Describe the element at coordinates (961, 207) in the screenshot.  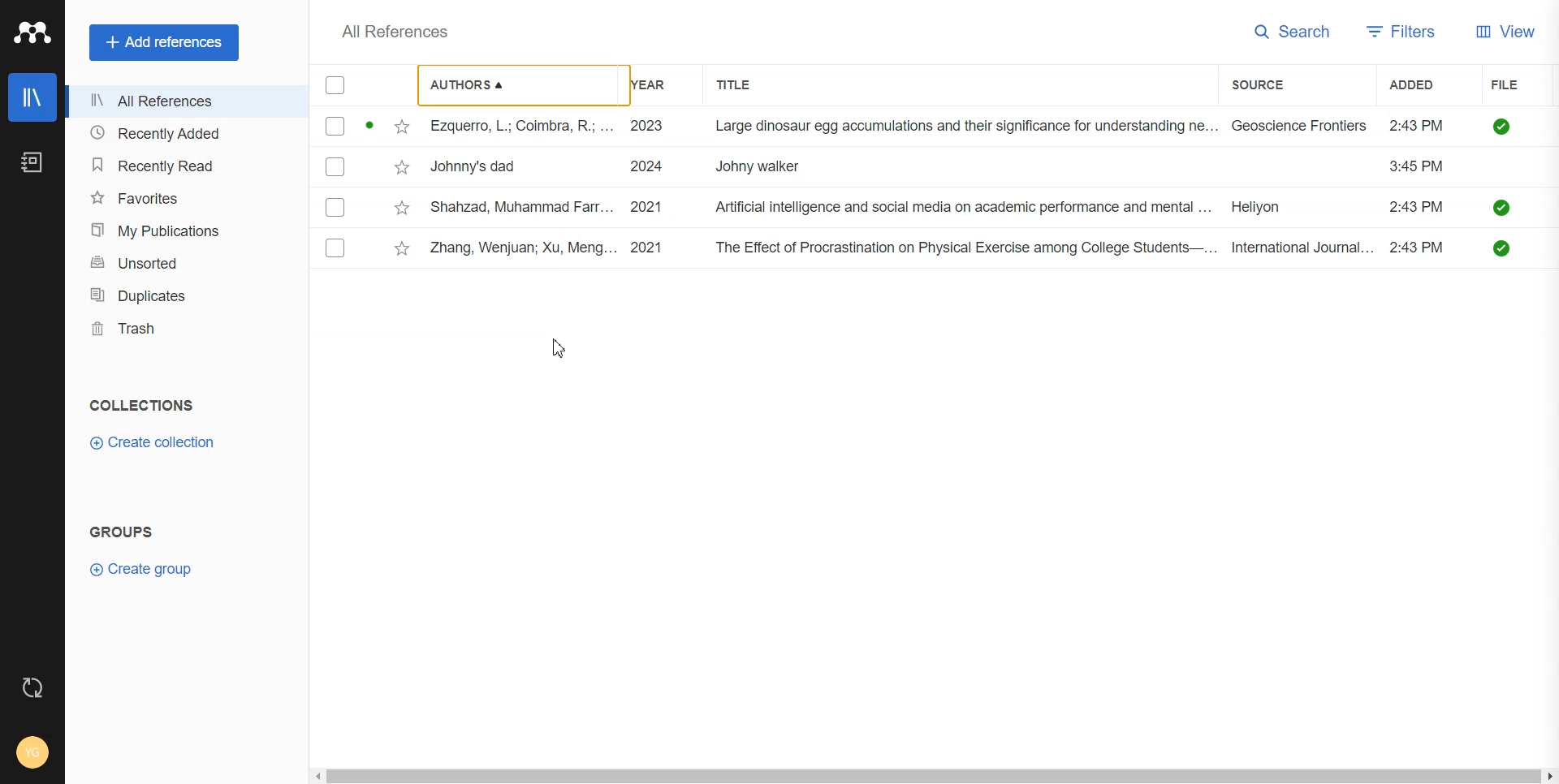
I see `Artificial intelligence and social media on academic performance and mental` at that location.